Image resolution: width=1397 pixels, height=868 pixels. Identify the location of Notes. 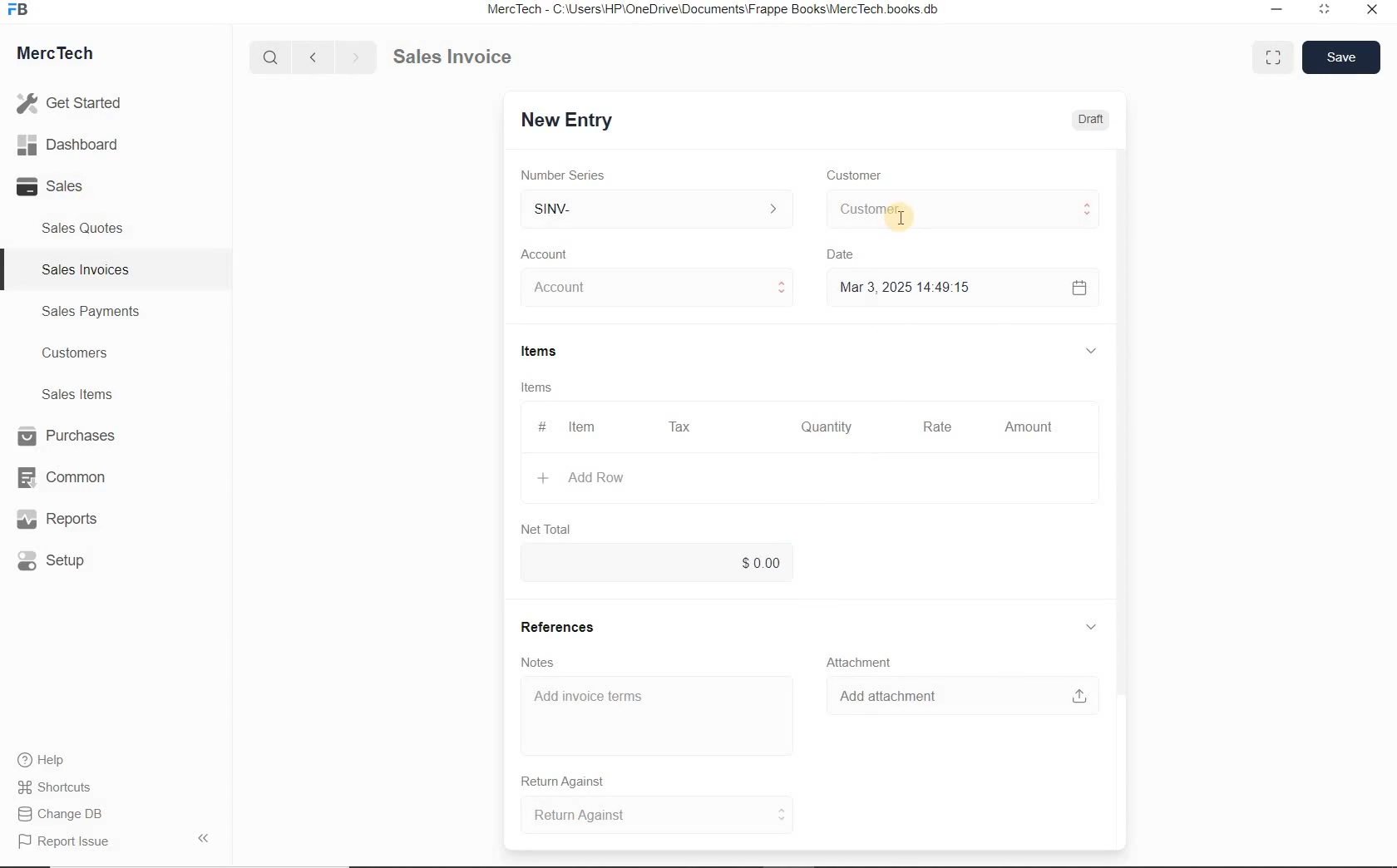
(539, 663).